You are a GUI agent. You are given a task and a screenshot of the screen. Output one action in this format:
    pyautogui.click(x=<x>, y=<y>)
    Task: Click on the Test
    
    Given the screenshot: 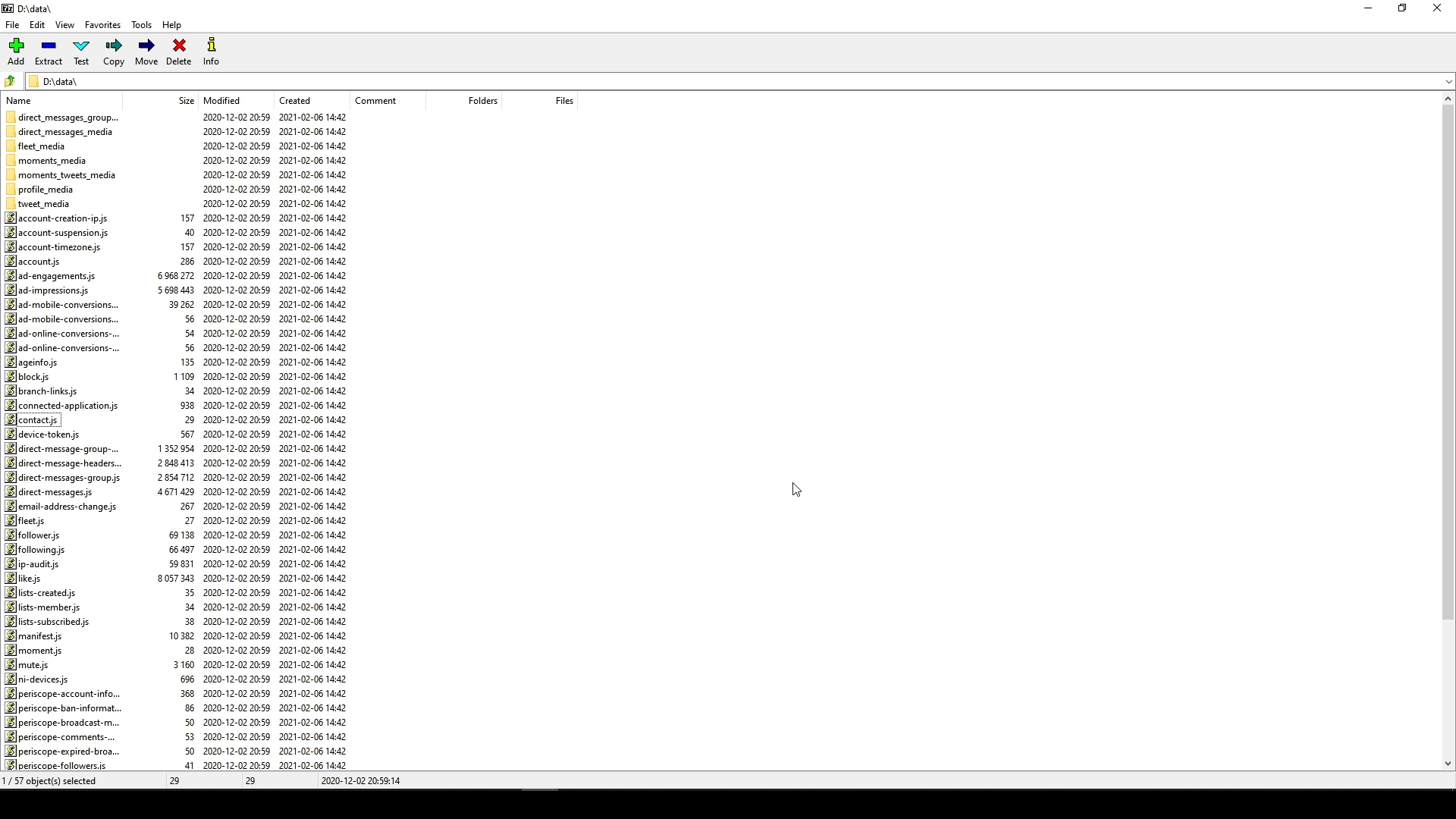 What is the action you would take?
    pyautogui.click(x=83, y=52)
    